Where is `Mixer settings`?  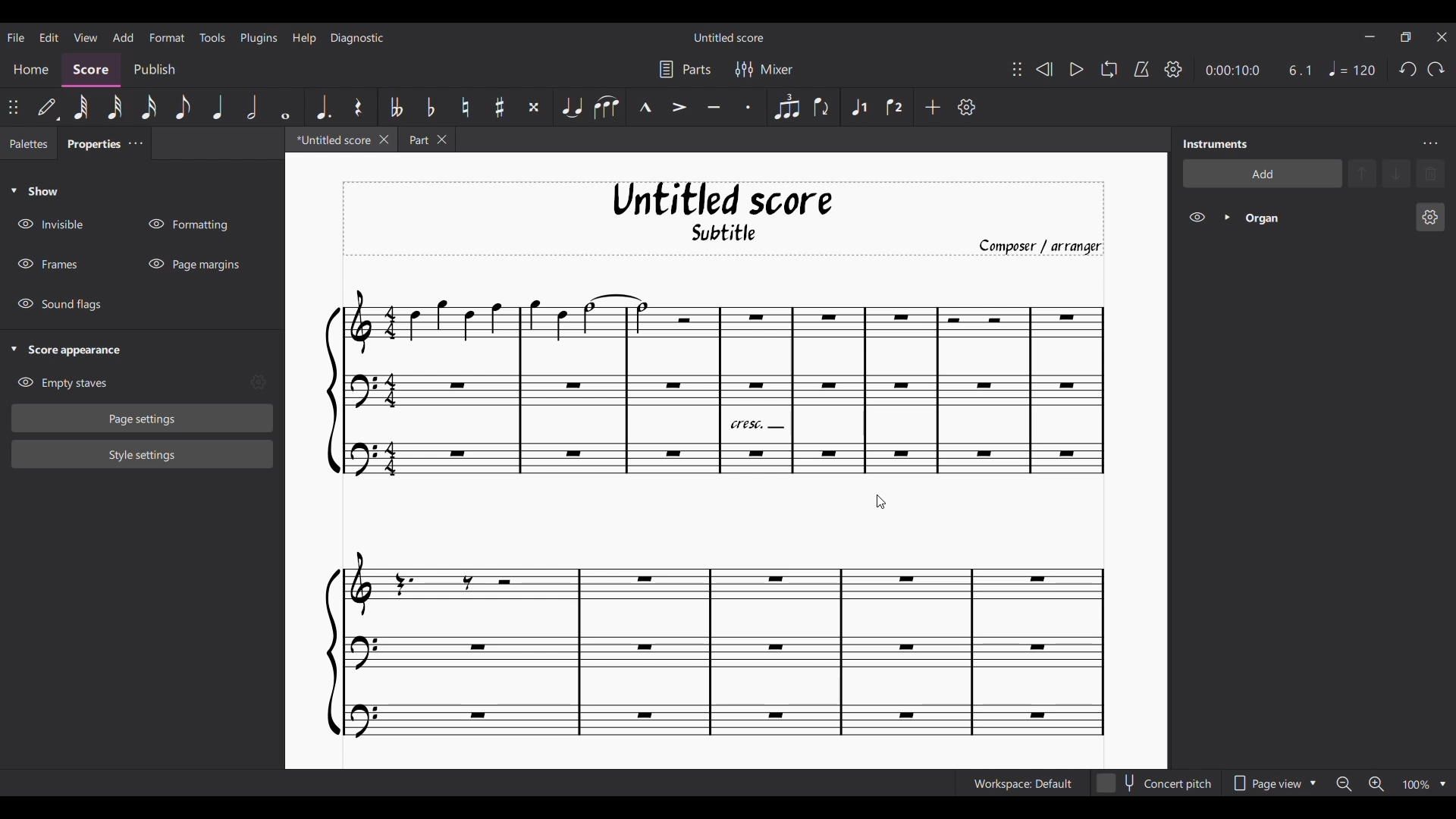
Mixer settings is located at coordinates (763, 69).